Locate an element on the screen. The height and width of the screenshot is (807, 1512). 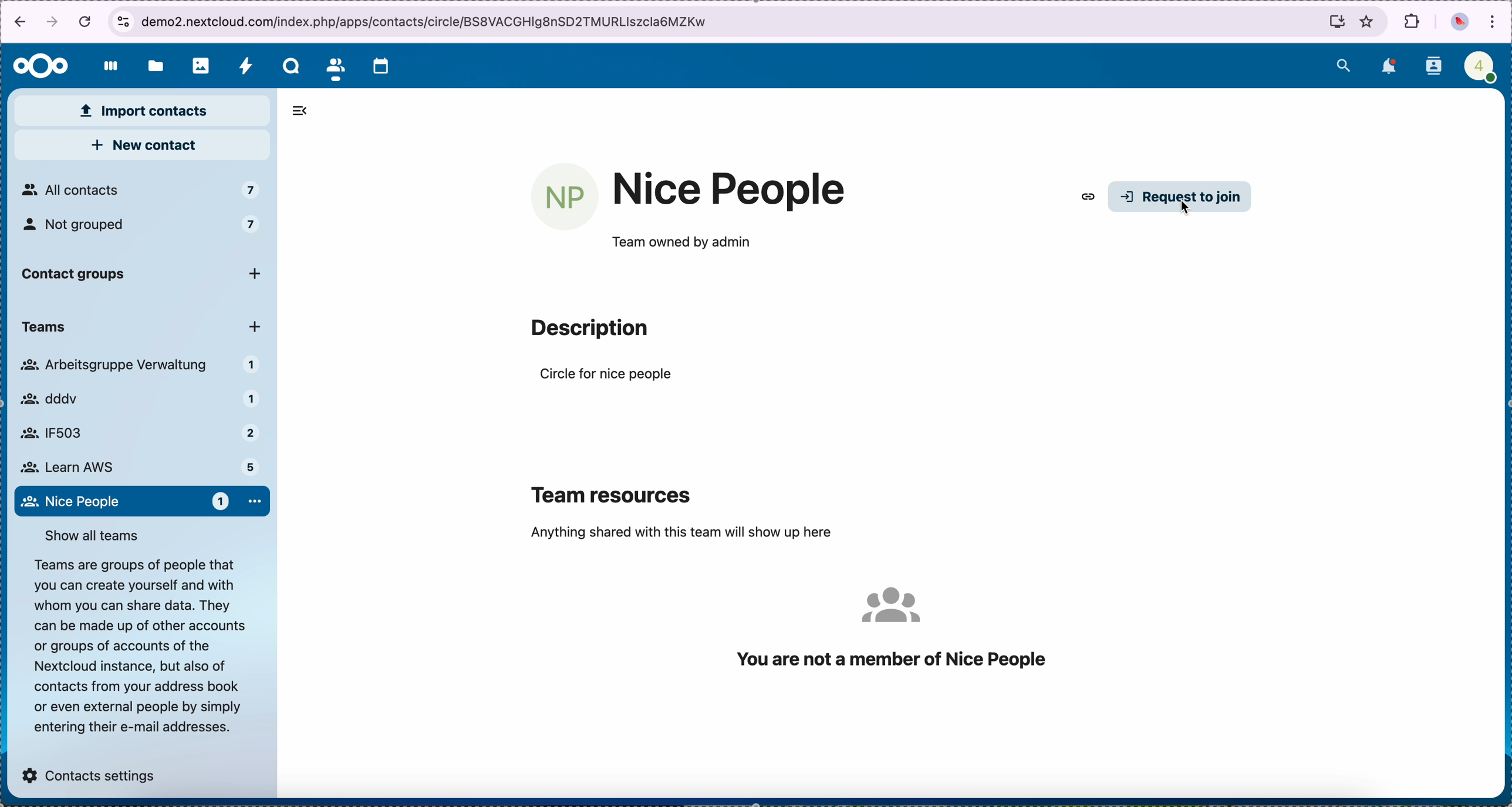
profile picture is located at coordinates (1459, 22).